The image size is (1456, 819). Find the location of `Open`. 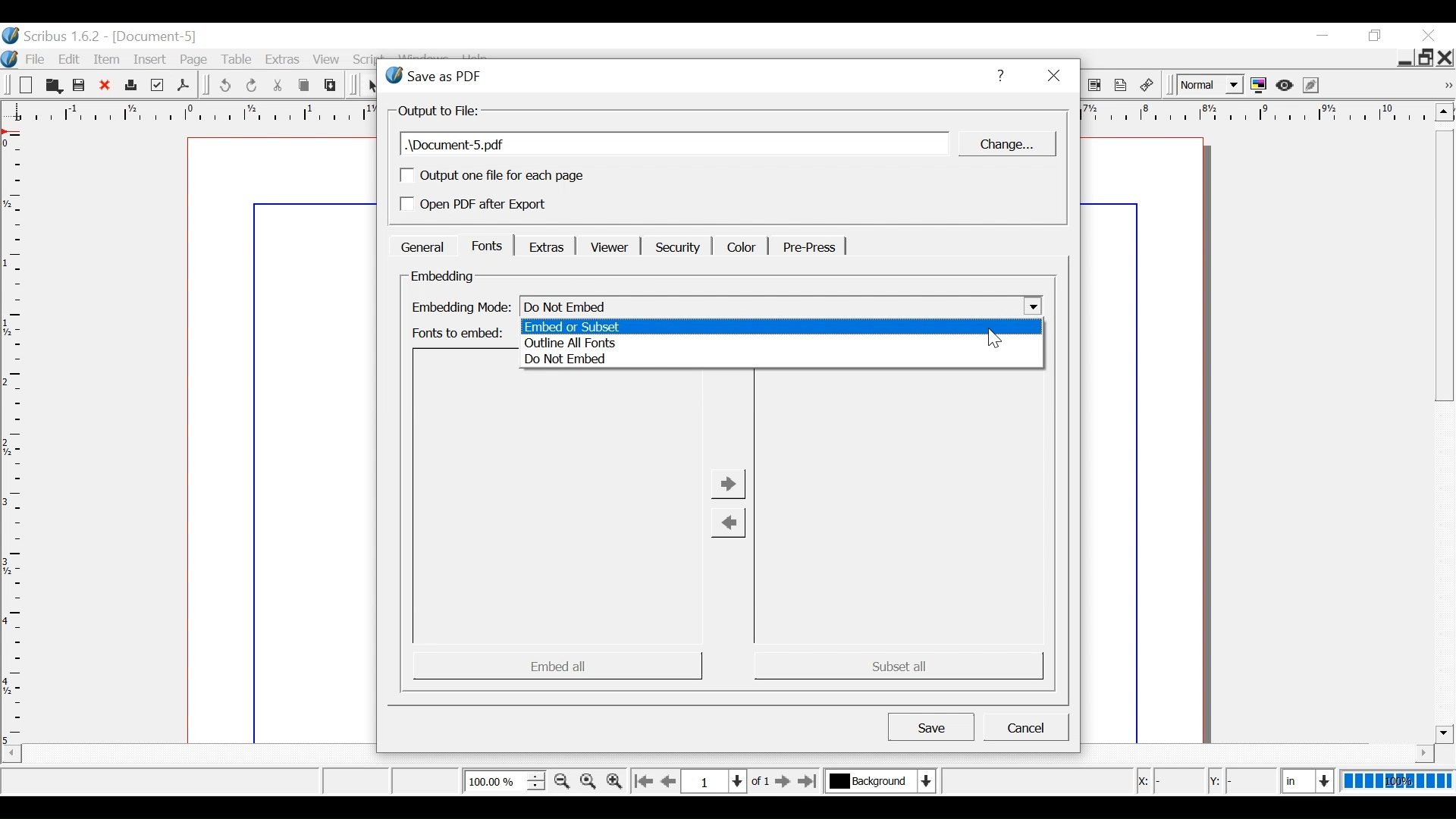

Open is located at coordinates (24, 86).